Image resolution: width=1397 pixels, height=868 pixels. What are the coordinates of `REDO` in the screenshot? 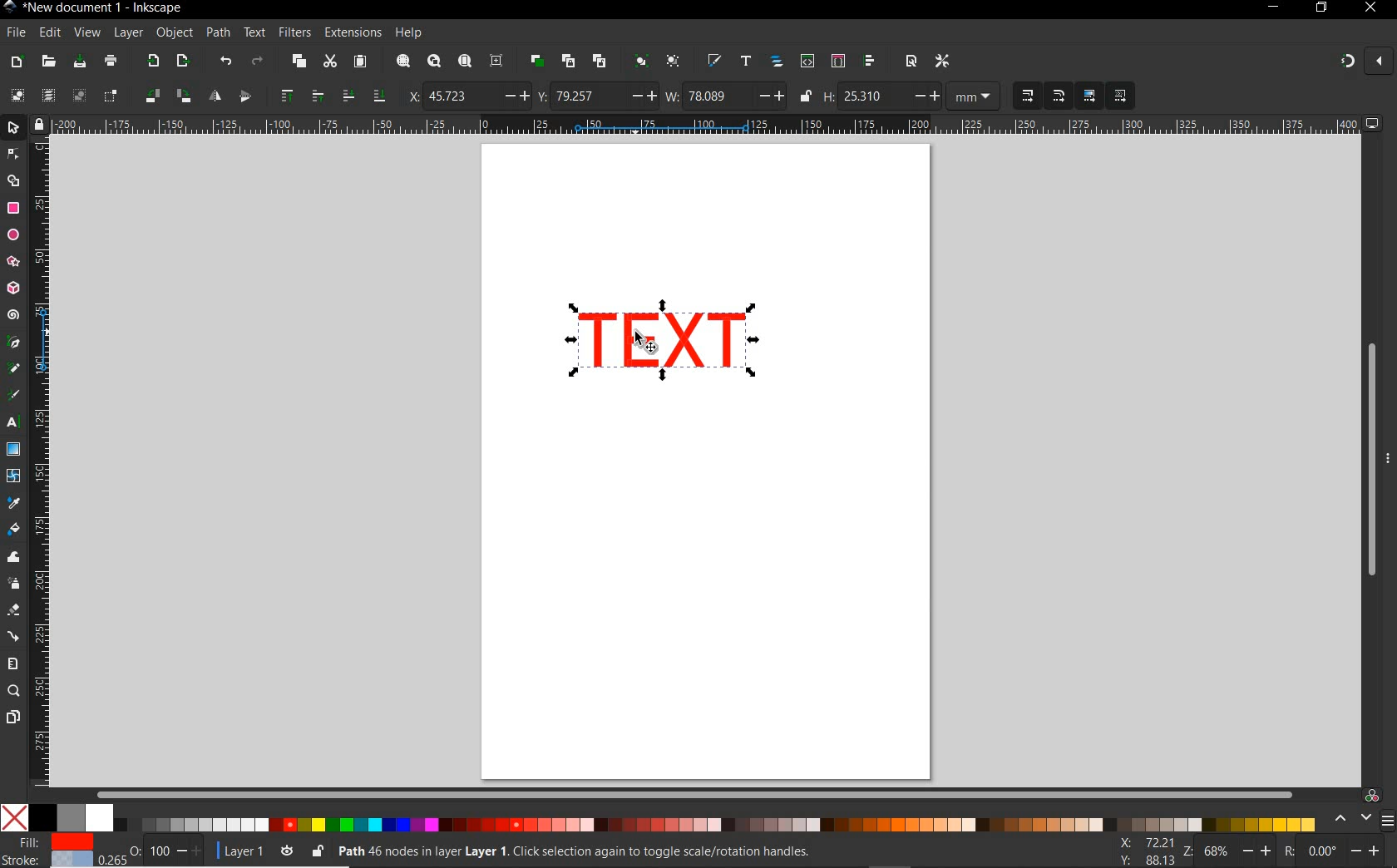 It's located at (259, 60).